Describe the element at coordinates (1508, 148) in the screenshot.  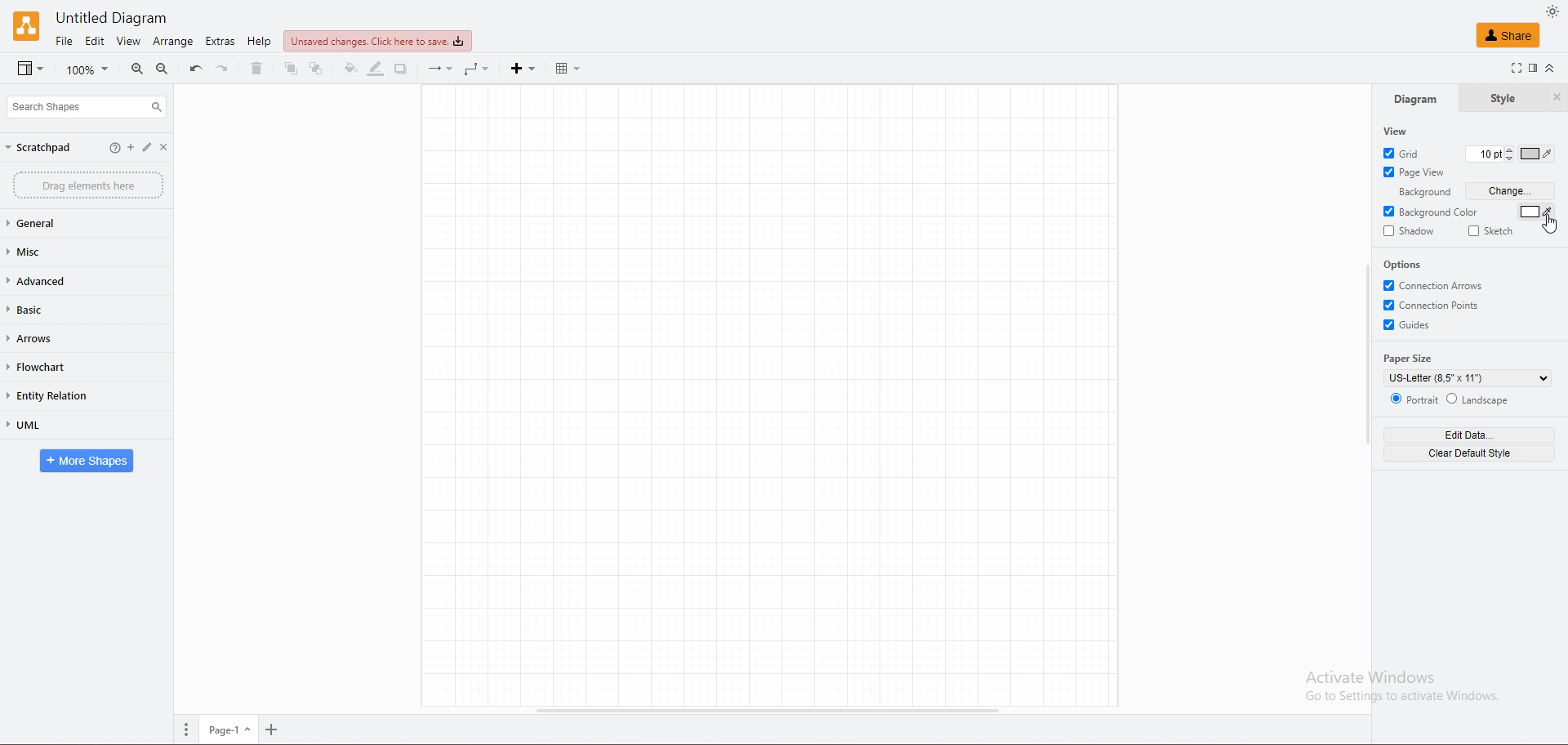
I see `increase grid value` at that location.